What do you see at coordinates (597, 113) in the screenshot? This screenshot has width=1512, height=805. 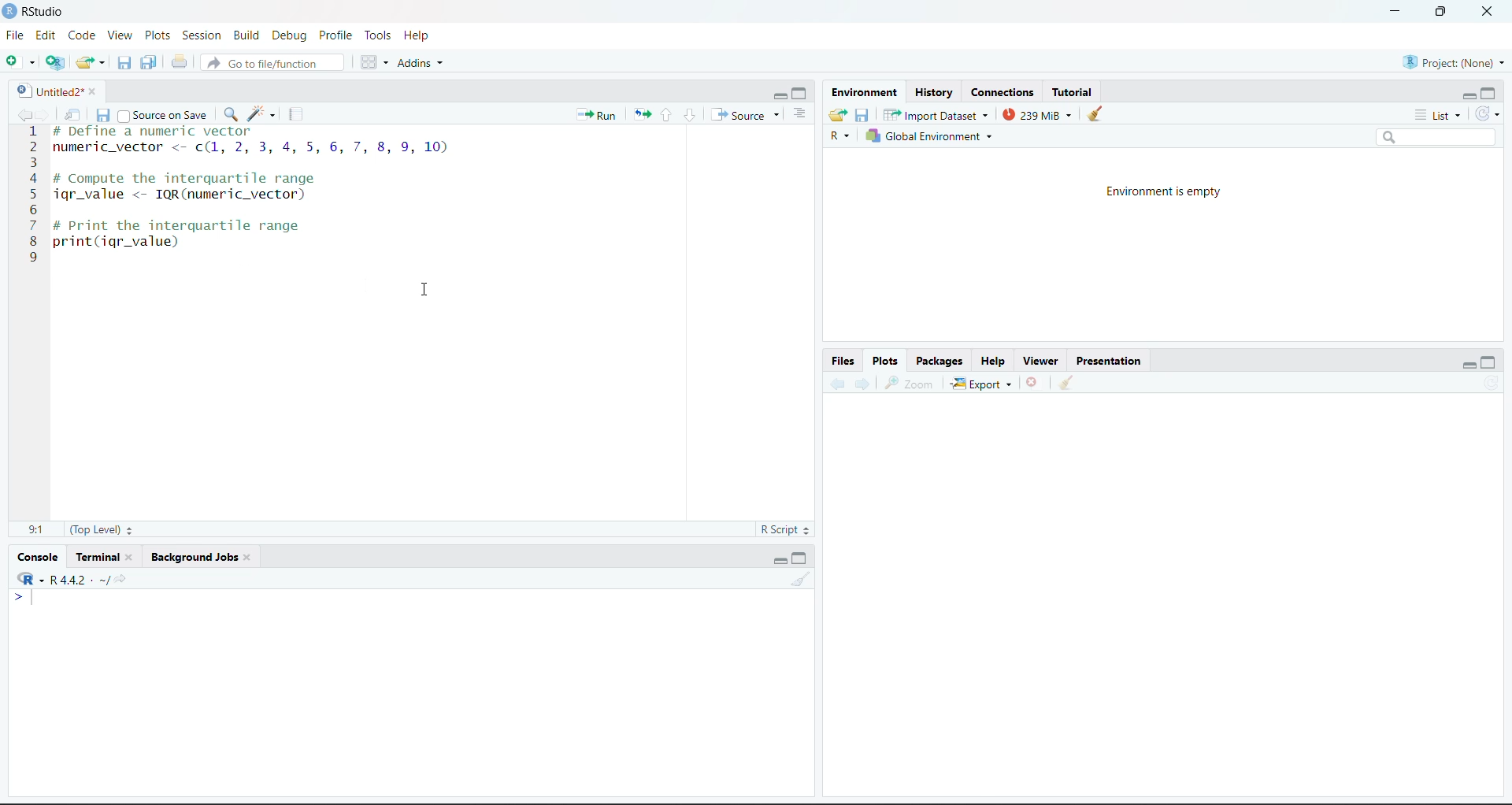 I see `Run the current line or selection (Ctrl + Enter)` at bounding box center [597, 113].